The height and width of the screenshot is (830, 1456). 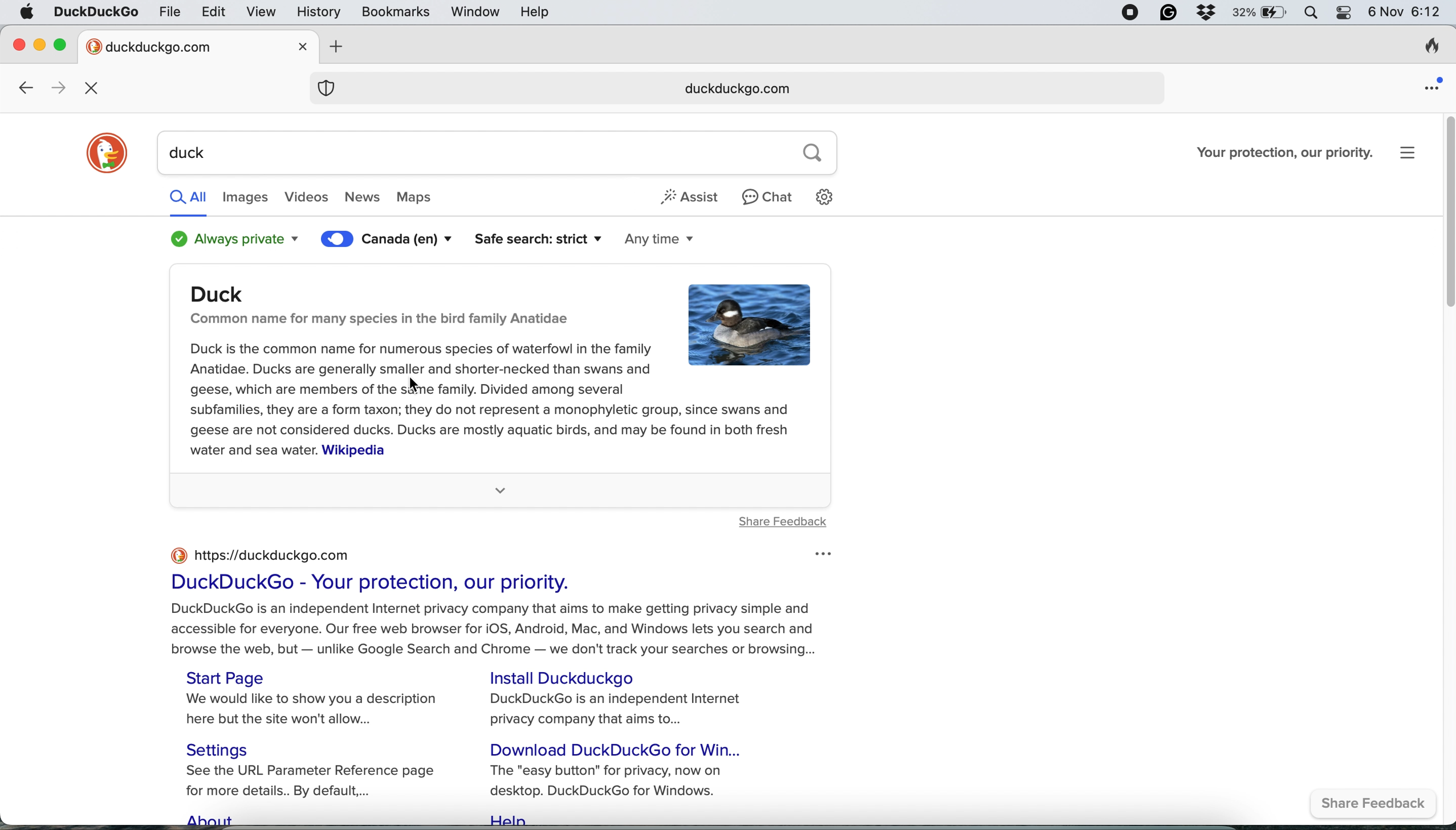 What do you see at coordinates (332, 47) in the screenshot?
I see `add new tab` at bounding box center [332, 47].